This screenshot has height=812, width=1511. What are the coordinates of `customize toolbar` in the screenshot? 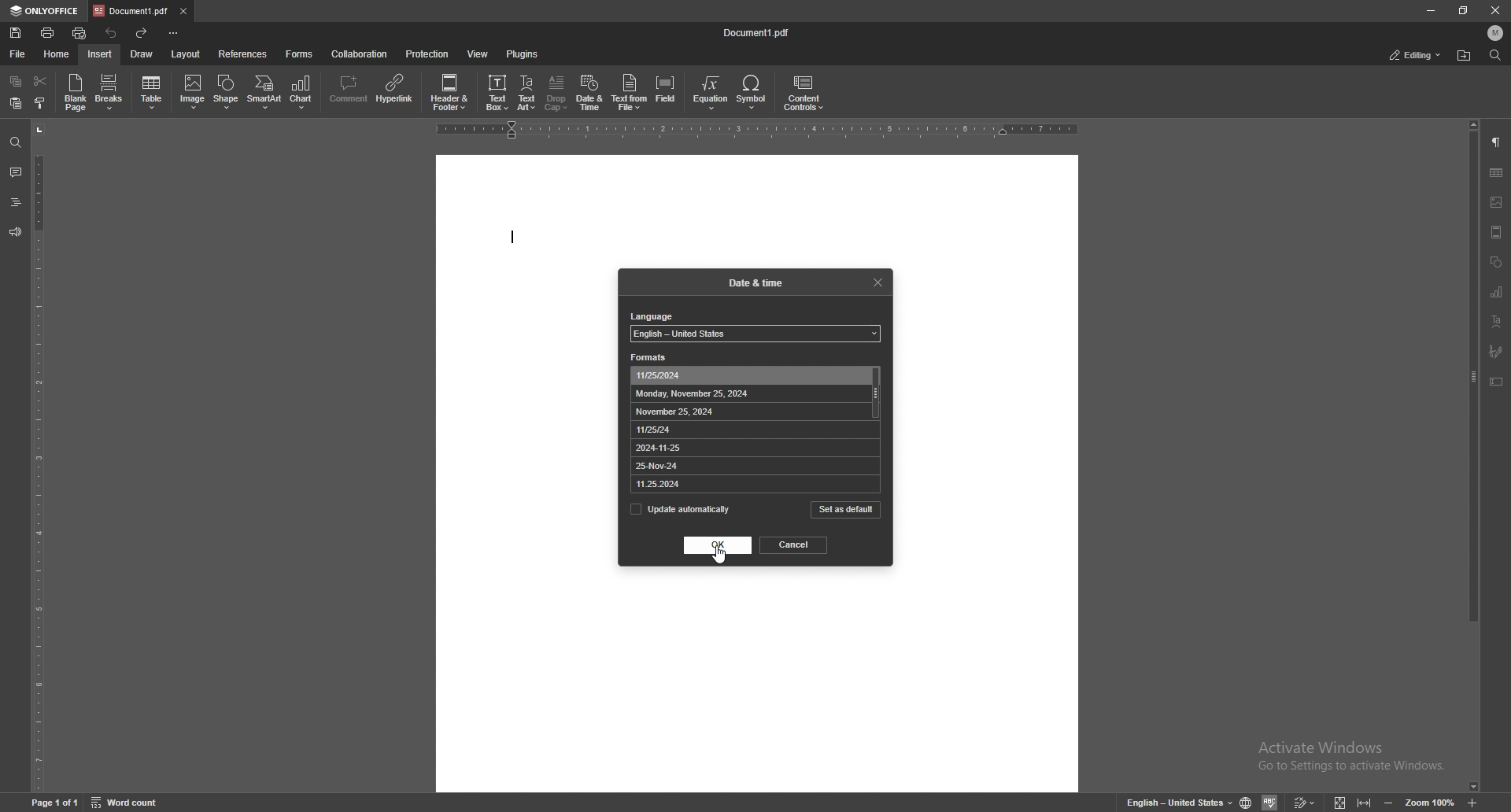 It's located at (173, 34).